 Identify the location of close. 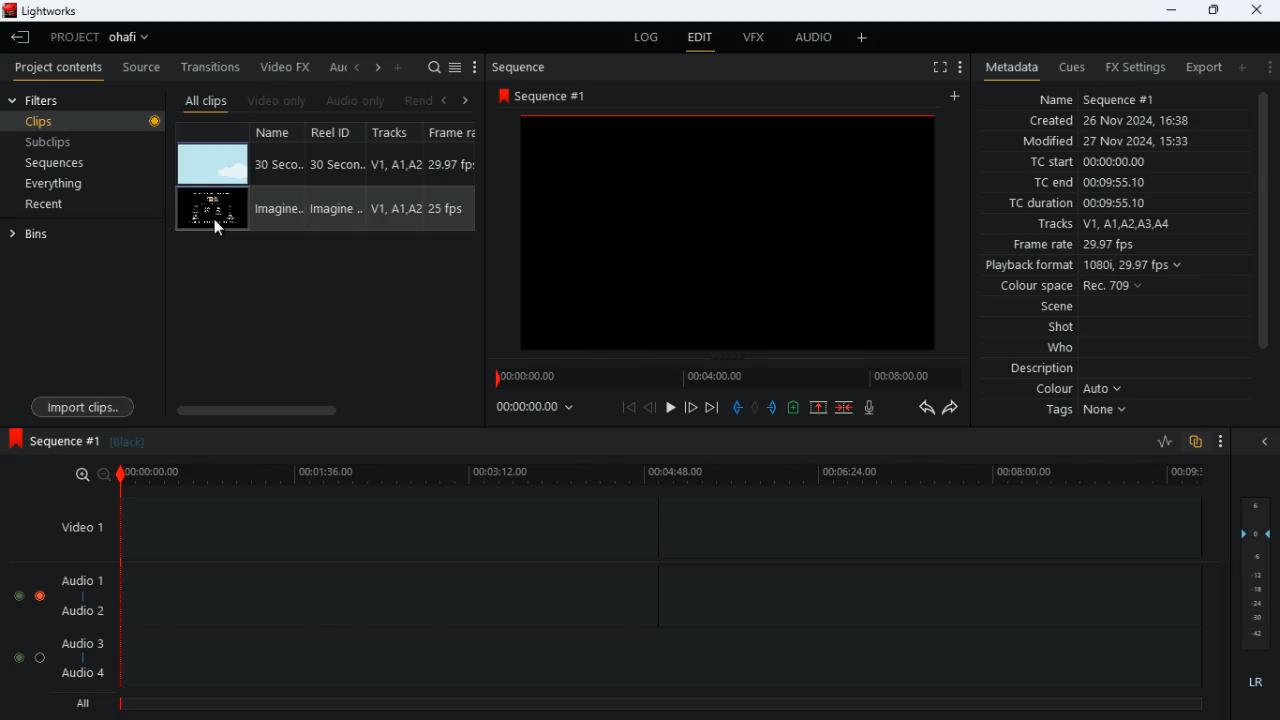
(1268, 442).